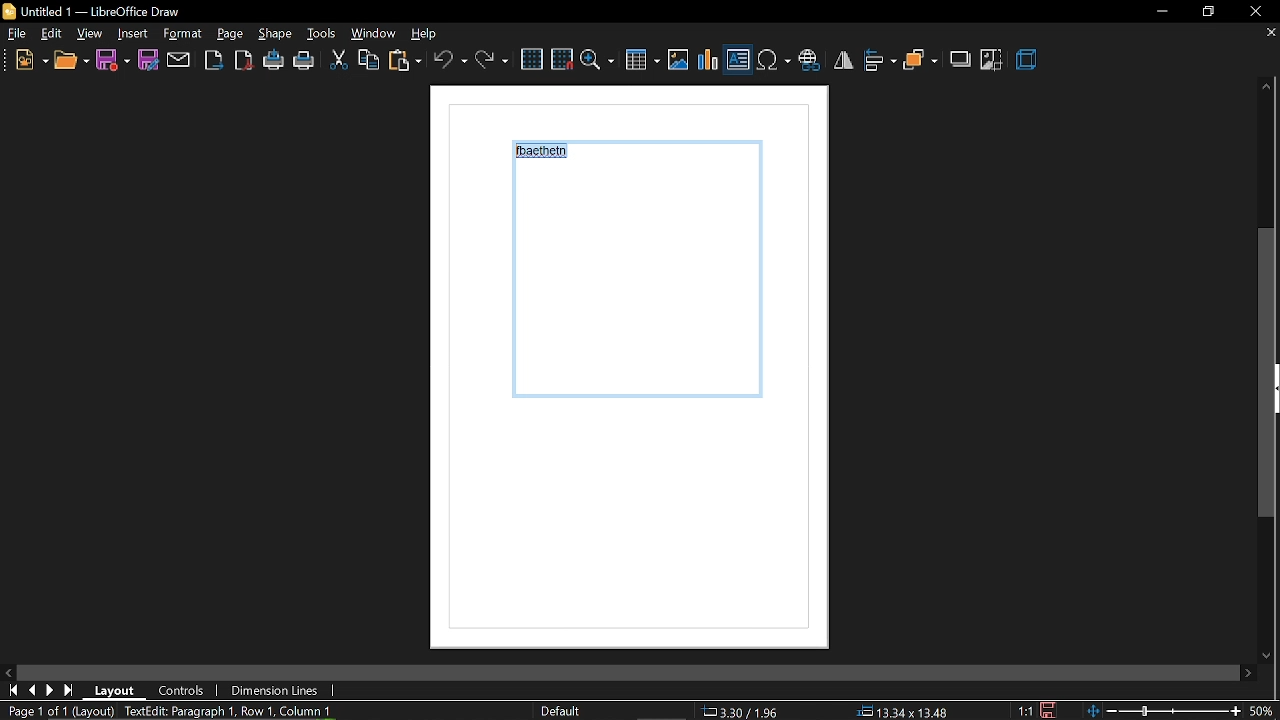 The width and height of the screenshot is (1280, 720). Describe the element at coordinates (70, 61) in the screenshot. I see `open` at that location.